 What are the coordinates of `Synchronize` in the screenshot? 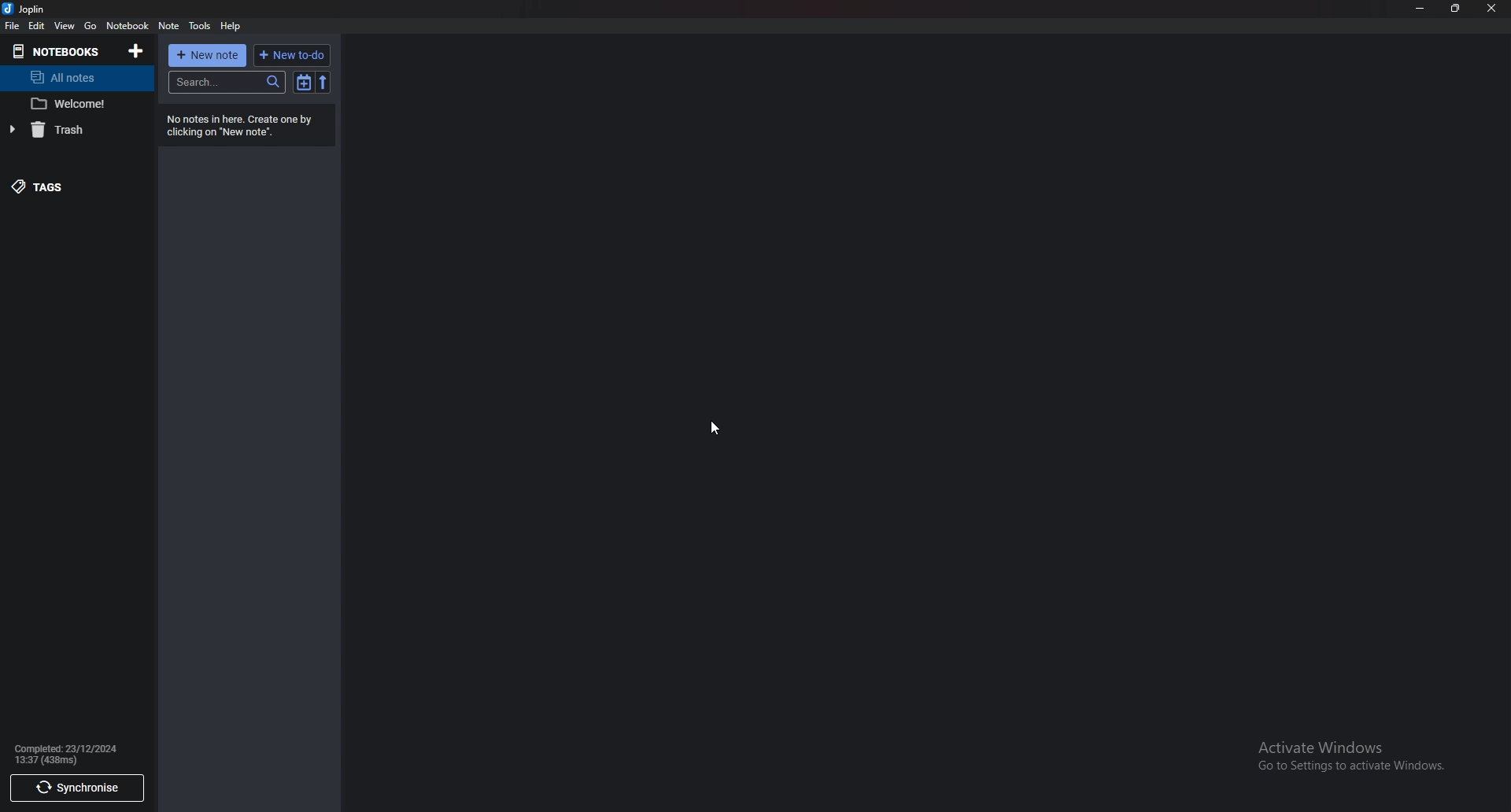 It's located at (79, 788).